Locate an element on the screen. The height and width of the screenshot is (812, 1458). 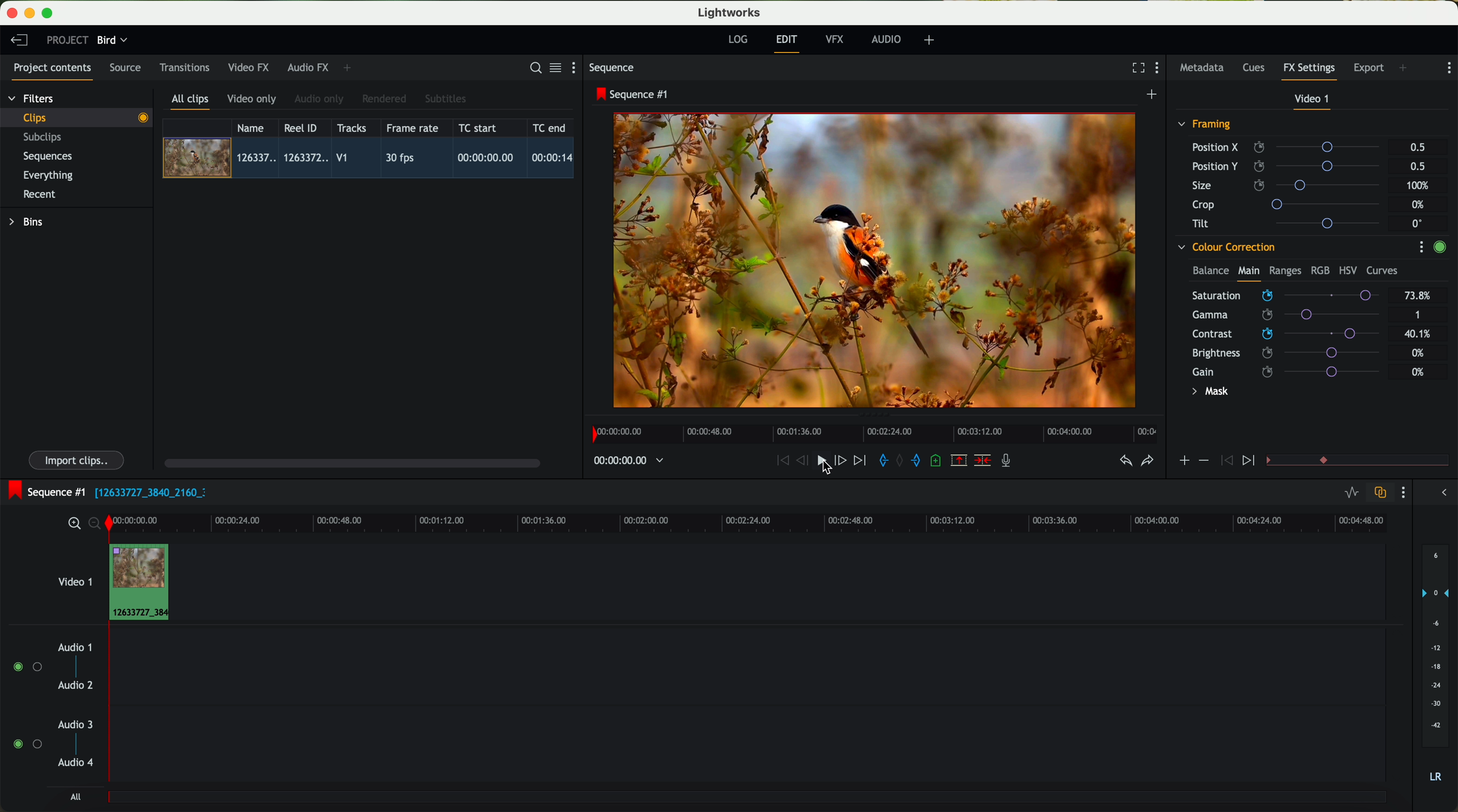
Reel ID is located at coordinates (303, 127).